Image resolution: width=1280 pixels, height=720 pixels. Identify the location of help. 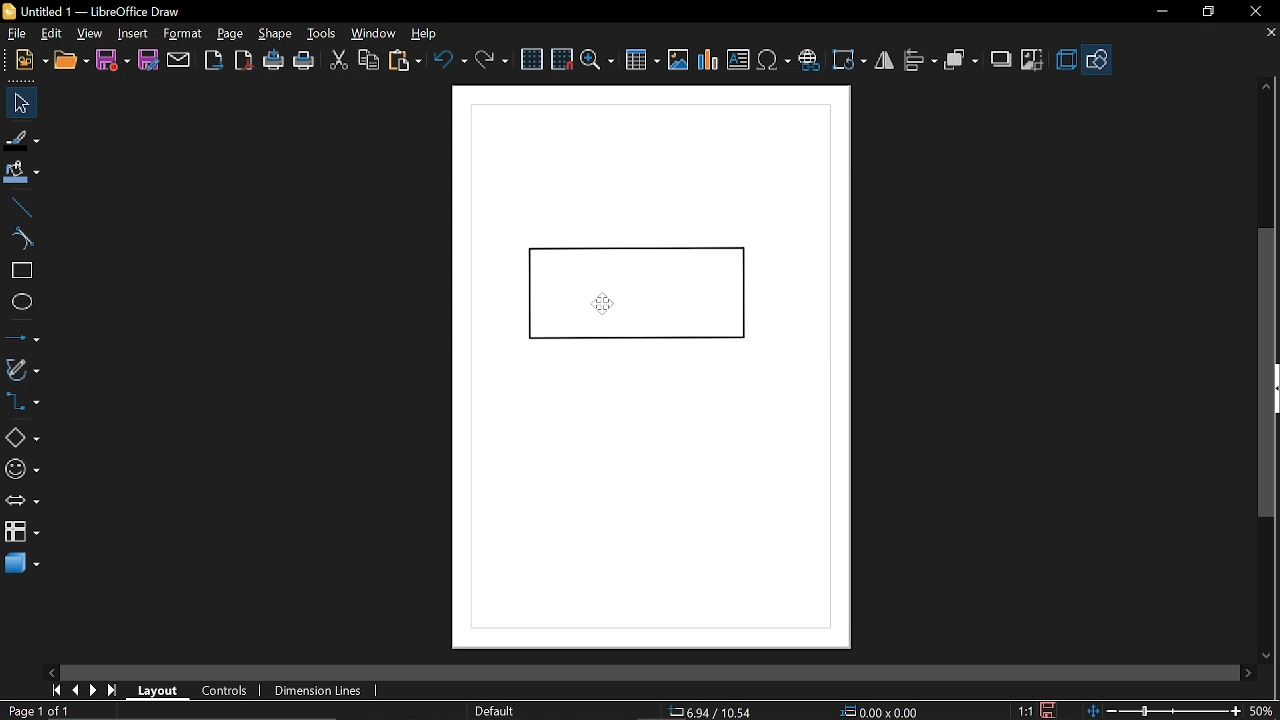
(424, 33).